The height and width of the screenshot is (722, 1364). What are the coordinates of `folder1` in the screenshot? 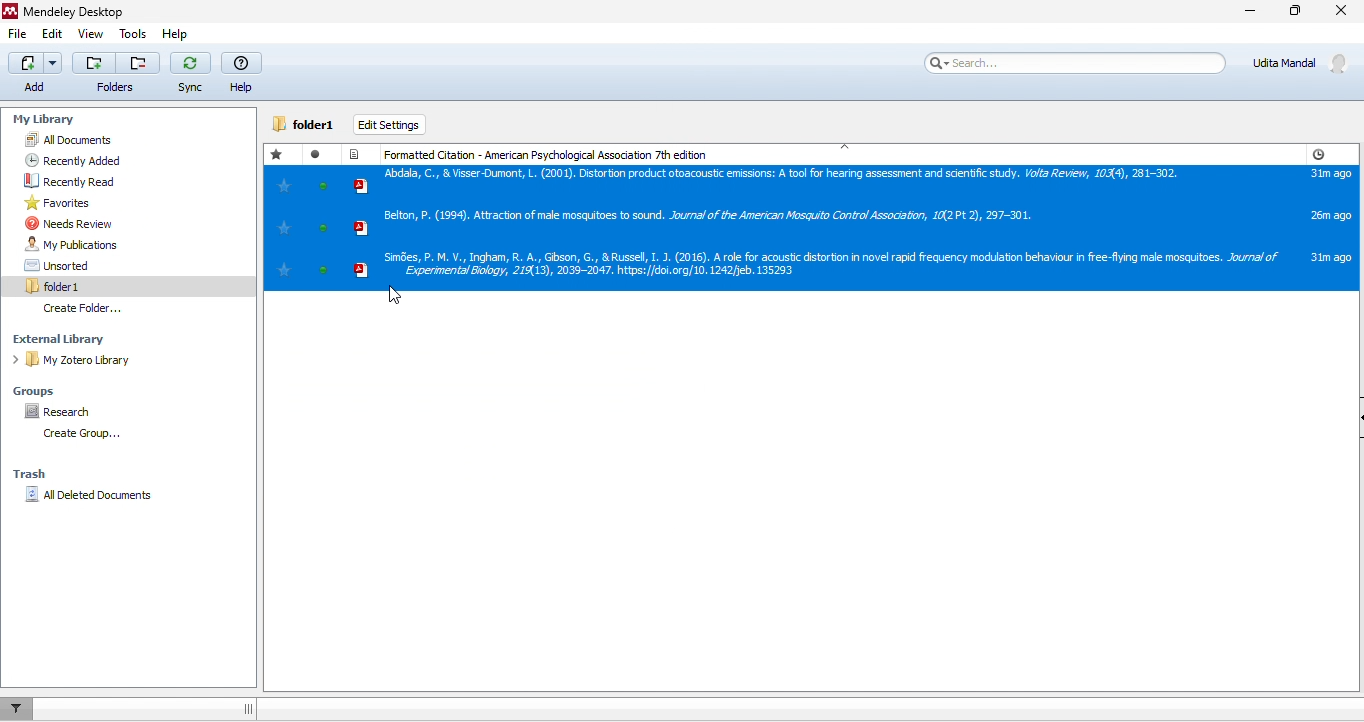 It's located at (306, 124).